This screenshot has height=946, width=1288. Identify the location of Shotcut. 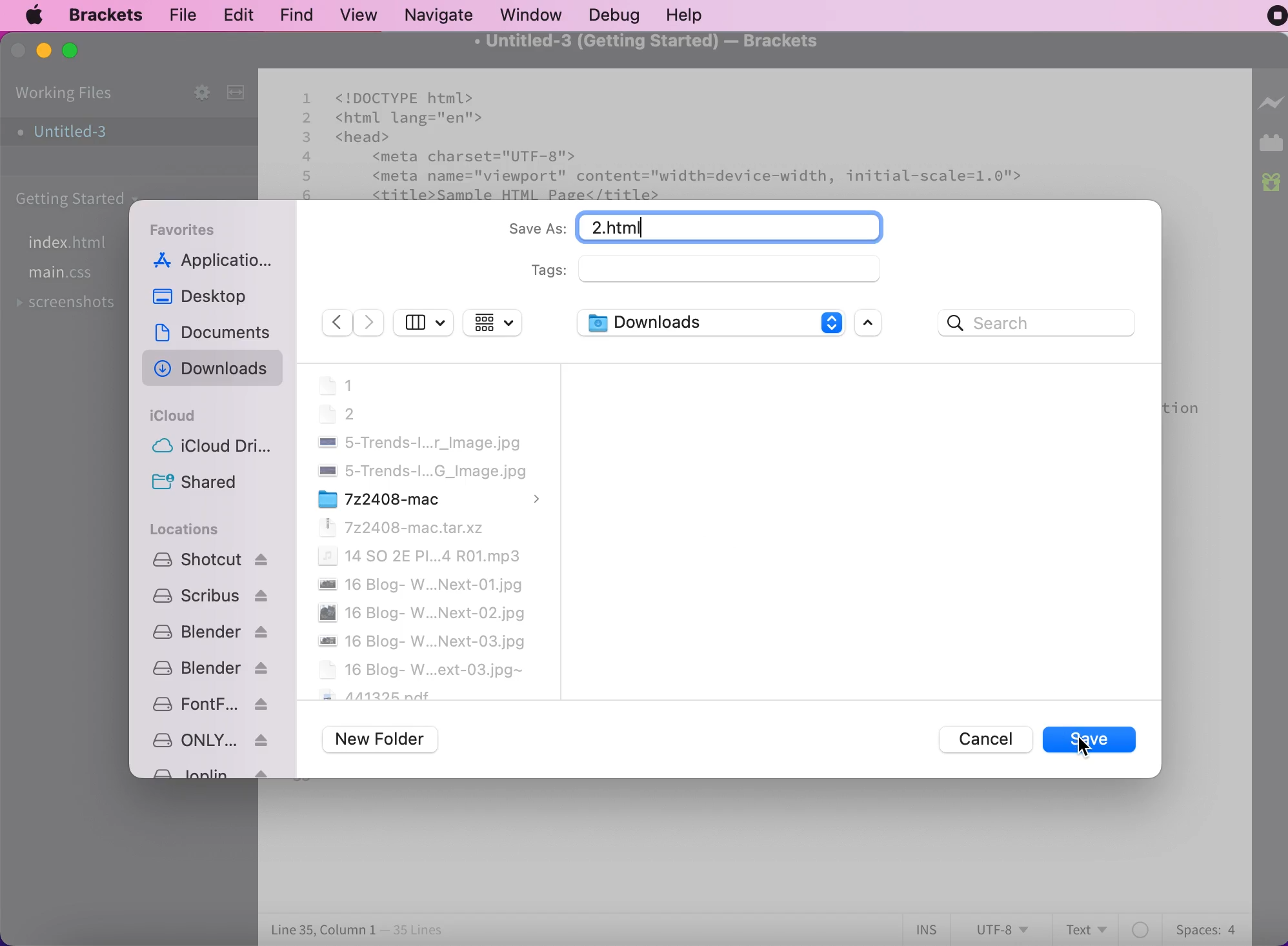
(209, 562).